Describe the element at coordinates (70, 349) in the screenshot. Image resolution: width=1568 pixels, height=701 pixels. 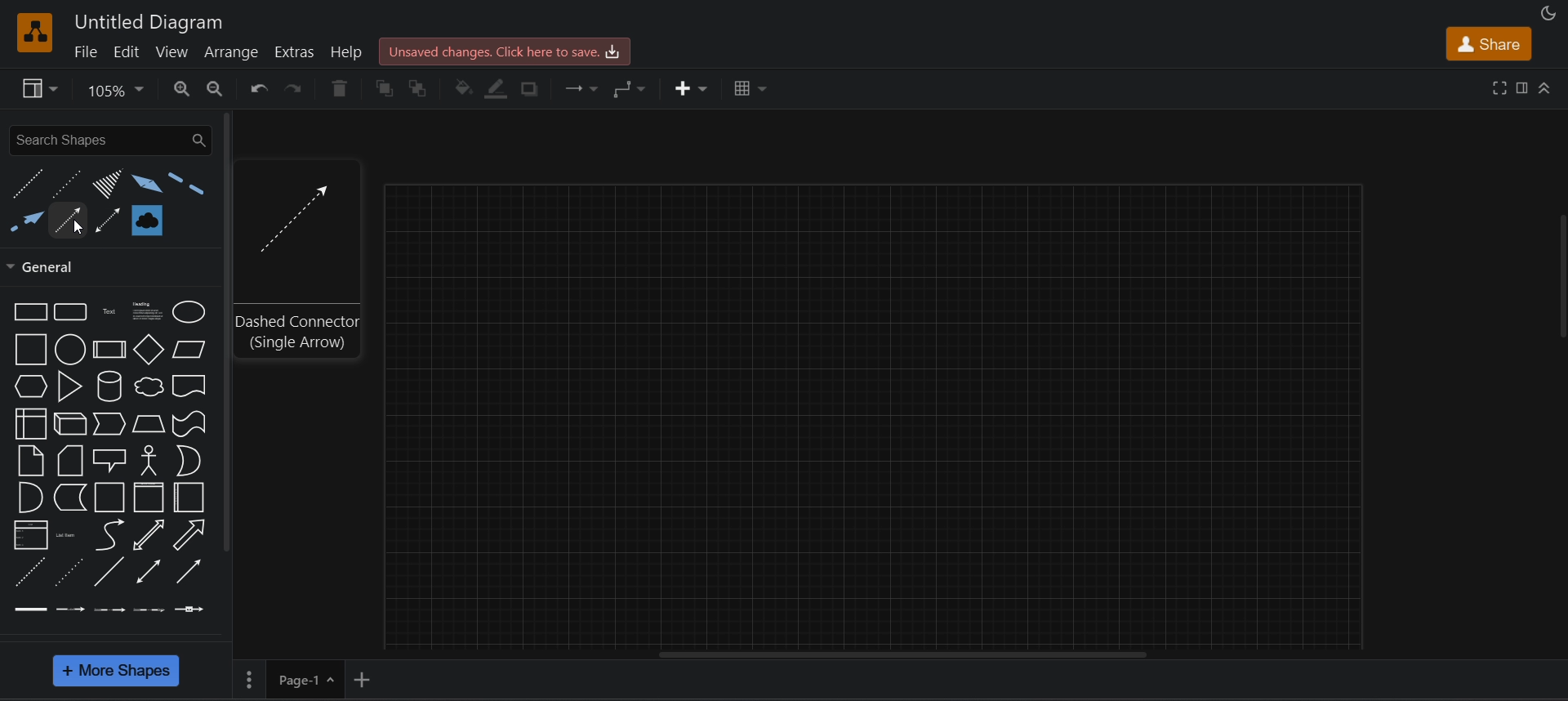
I see `circle` at that location.